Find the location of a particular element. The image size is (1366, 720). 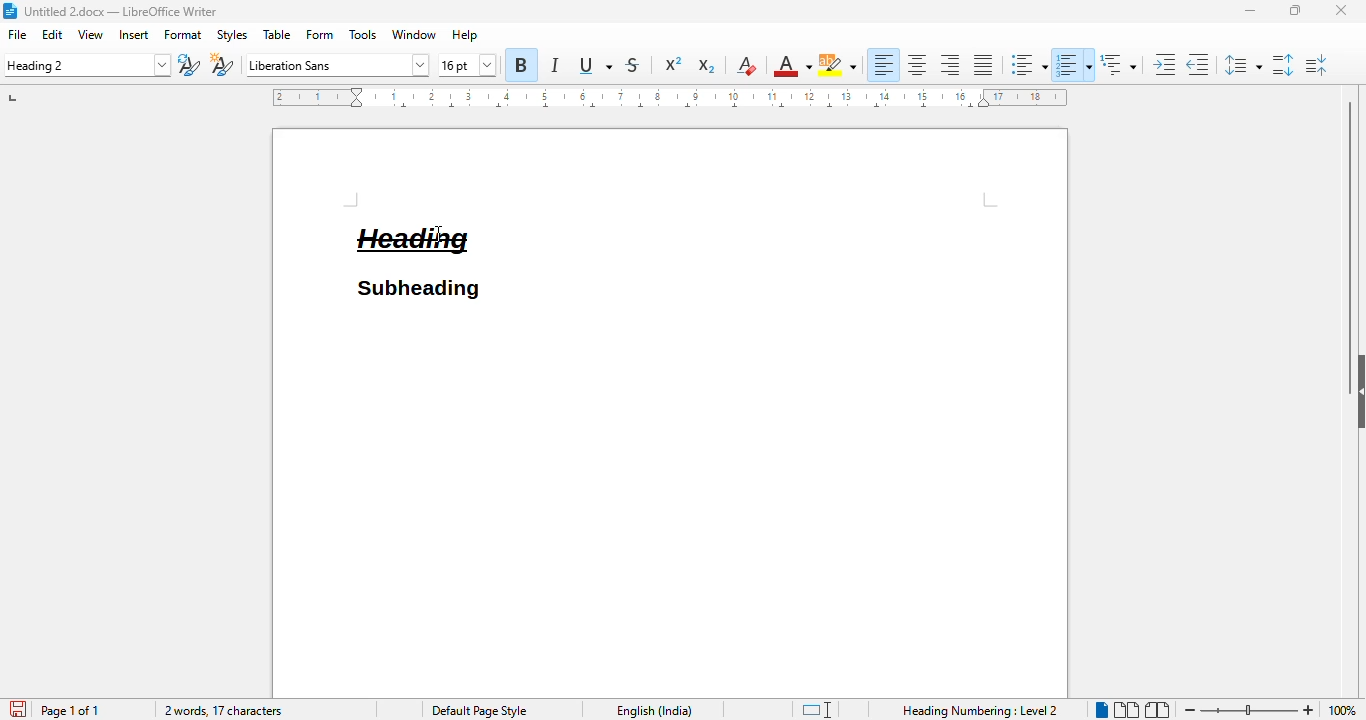

new style from selection is located at coordinates (221, 64).